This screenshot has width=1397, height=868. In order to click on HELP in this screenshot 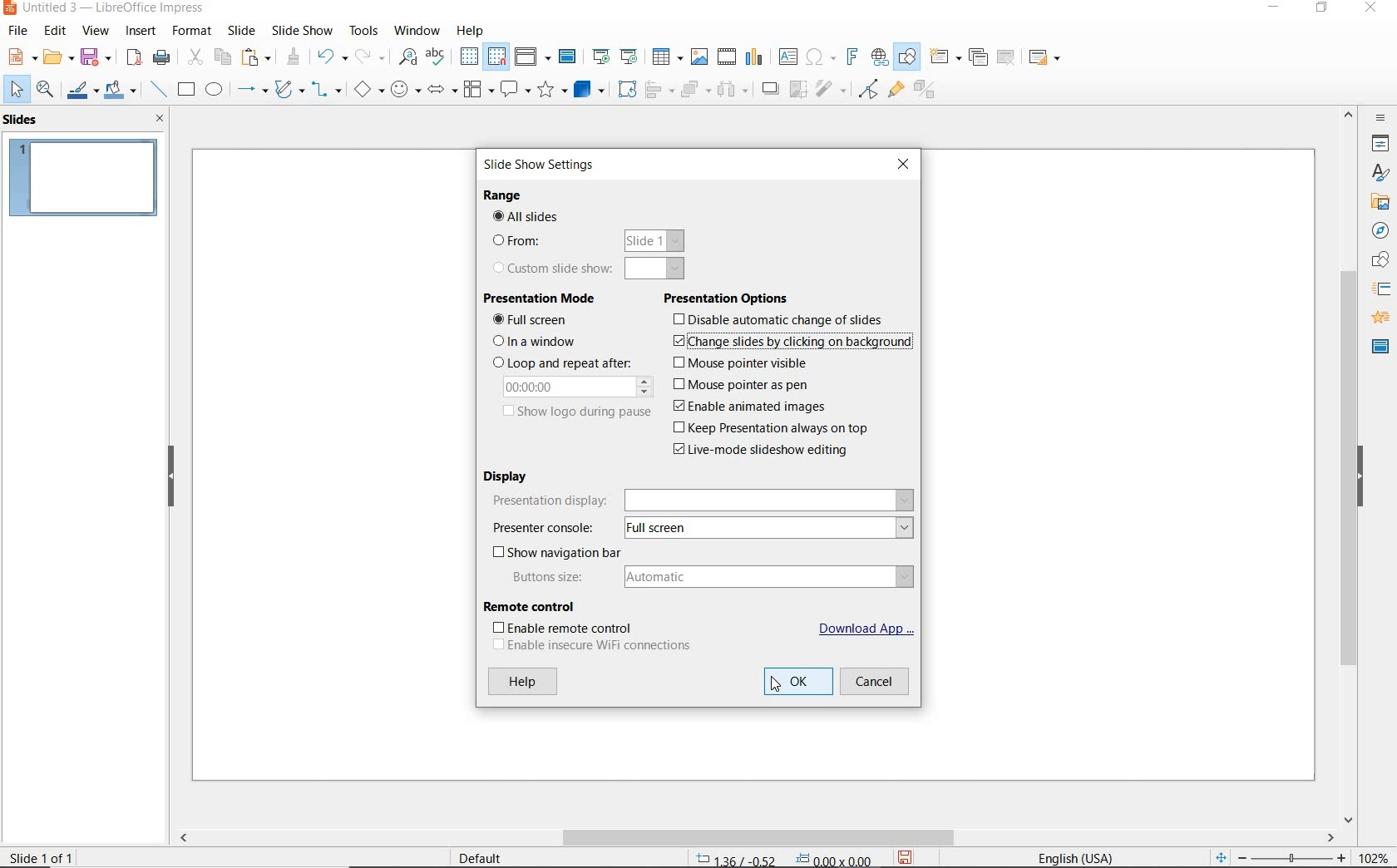, I will do `click(522, 682)`.